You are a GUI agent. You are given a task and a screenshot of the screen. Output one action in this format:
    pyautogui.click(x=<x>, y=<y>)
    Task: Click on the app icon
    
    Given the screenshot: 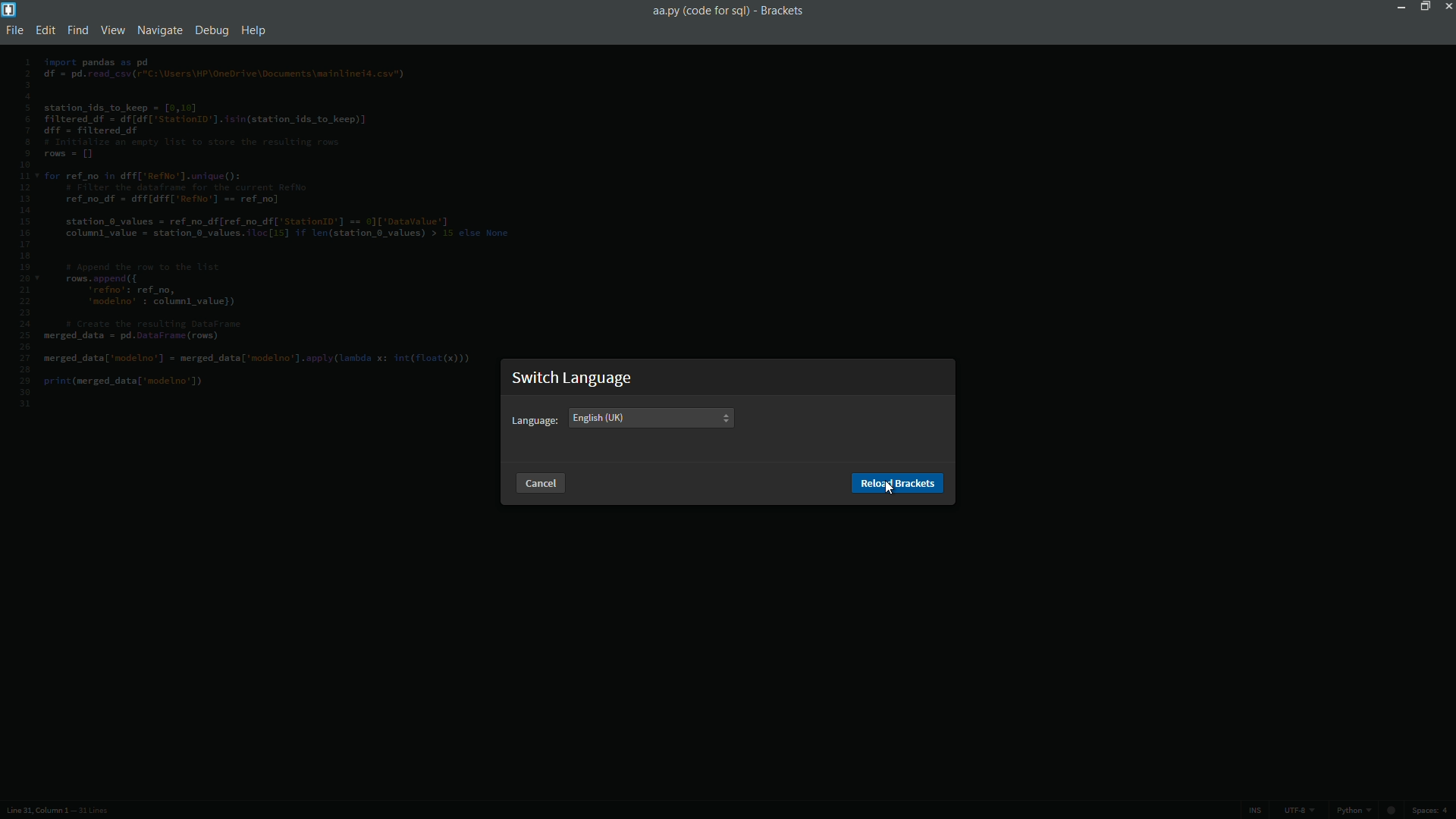 What is the action you would take?
    pyautogui.click(x=9, y=9)
    